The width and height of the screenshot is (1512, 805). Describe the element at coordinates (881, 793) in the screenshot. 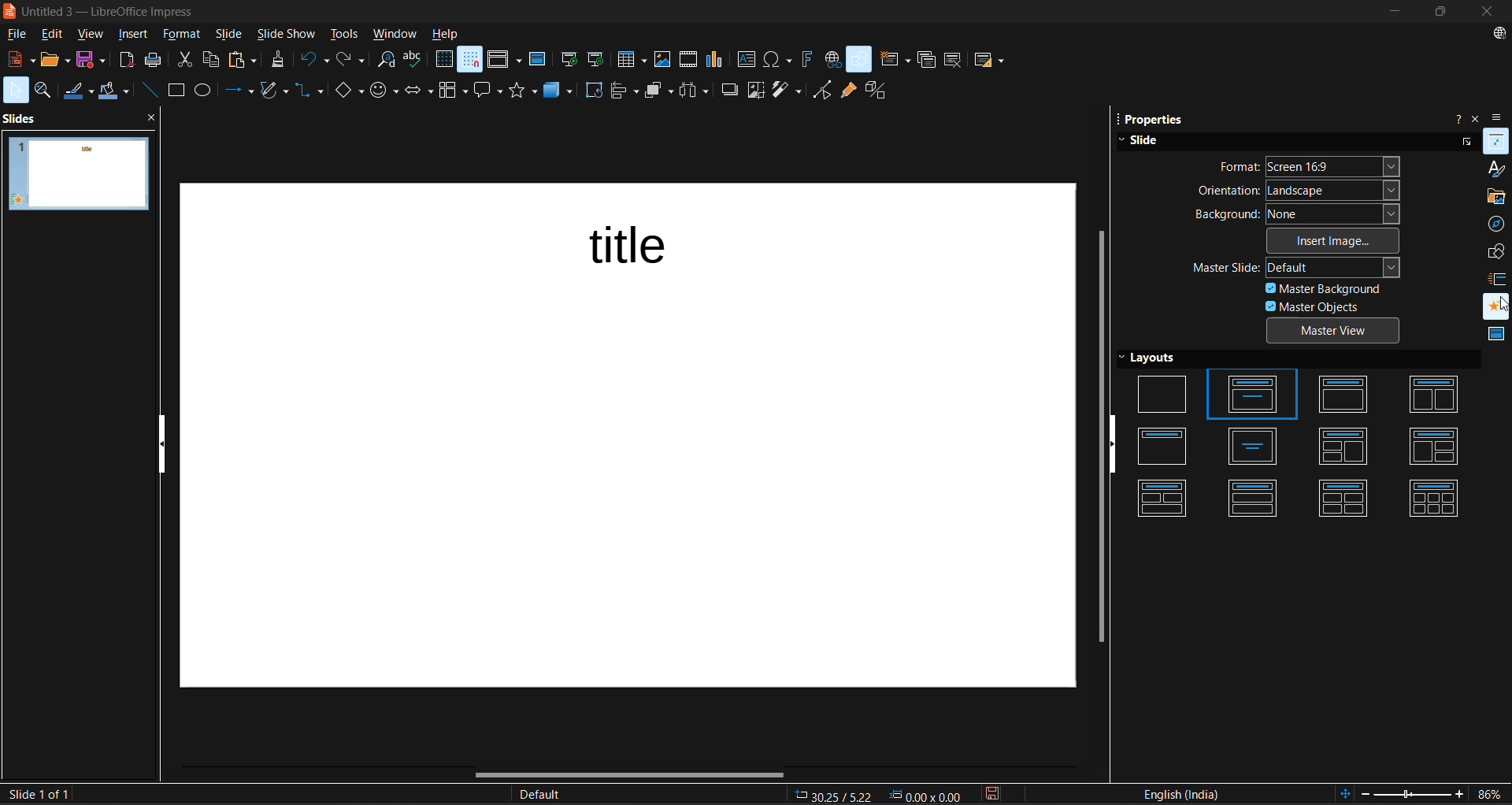

I see `co ordininates` at that location.